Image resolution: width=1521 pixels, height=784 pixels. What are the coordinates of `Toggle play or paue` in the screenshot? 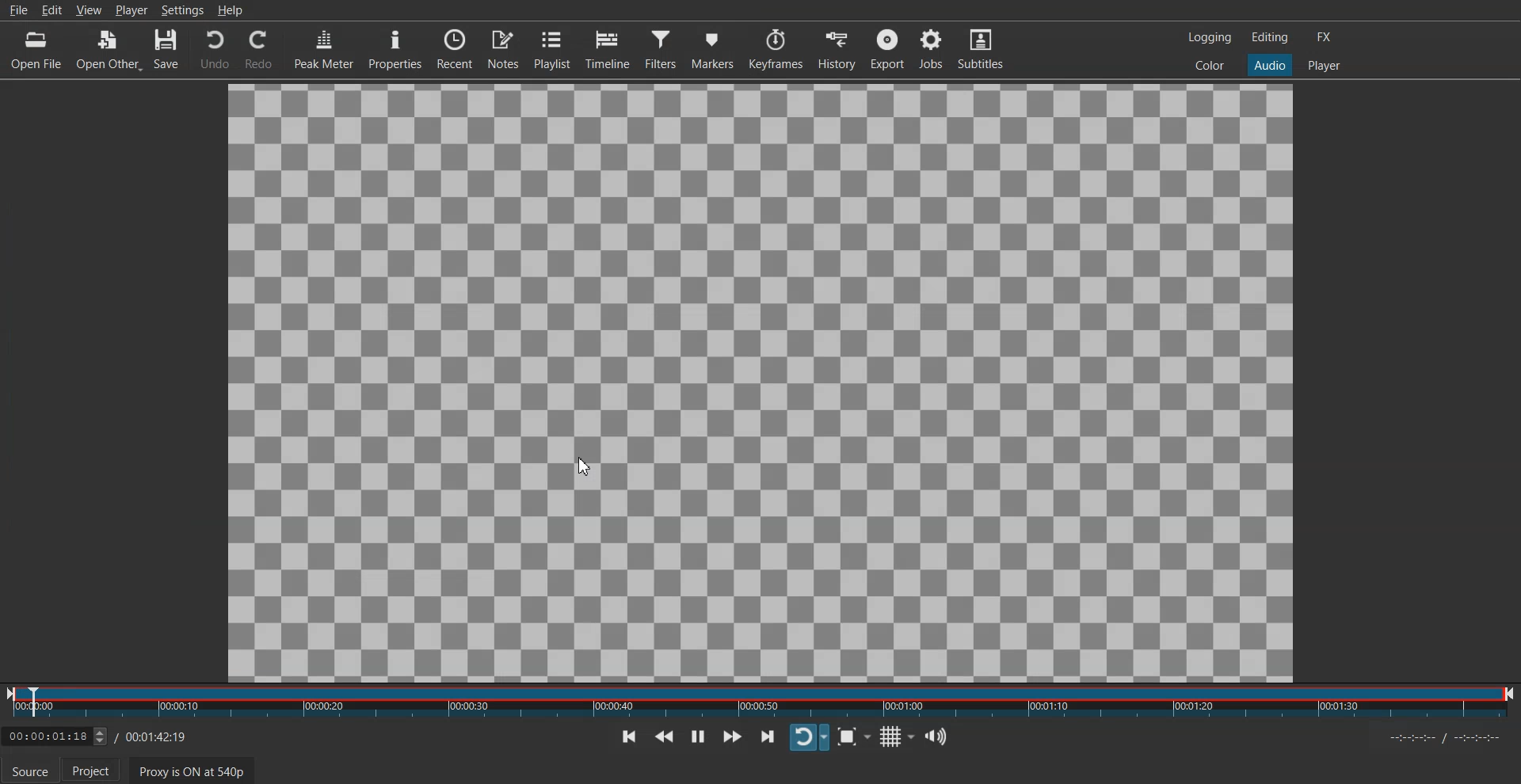 It's located at (697, 736).